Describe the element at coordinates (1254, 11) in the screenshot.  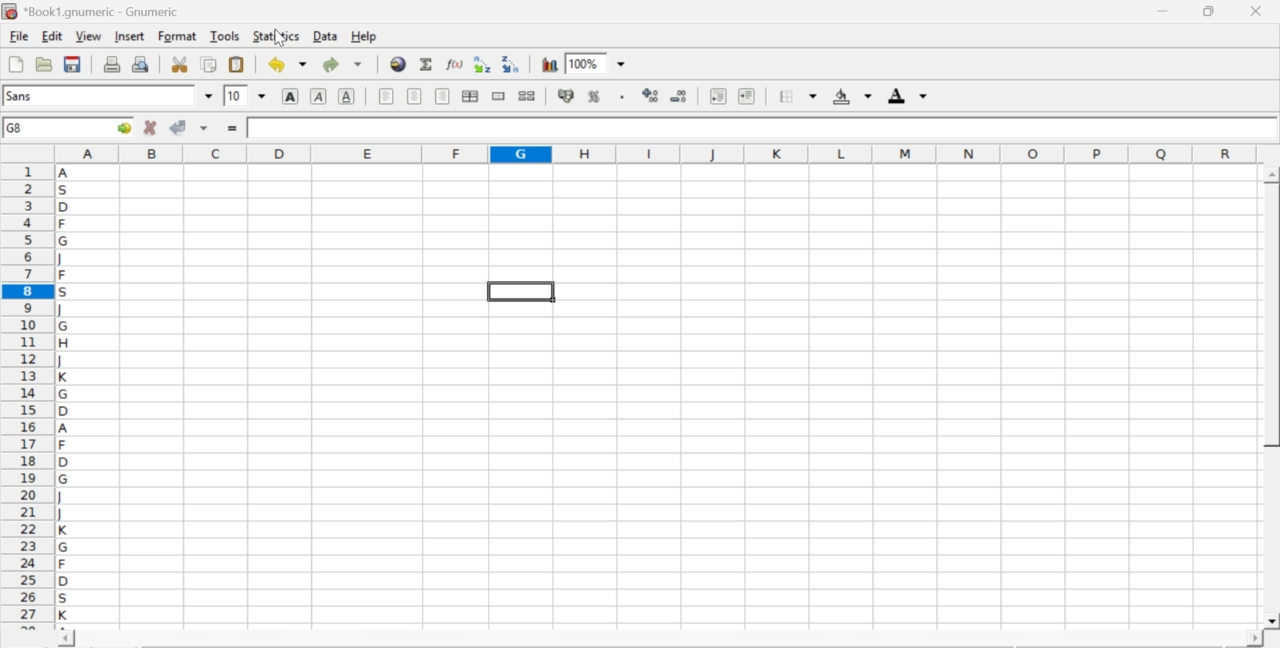
I see `close` at that location.